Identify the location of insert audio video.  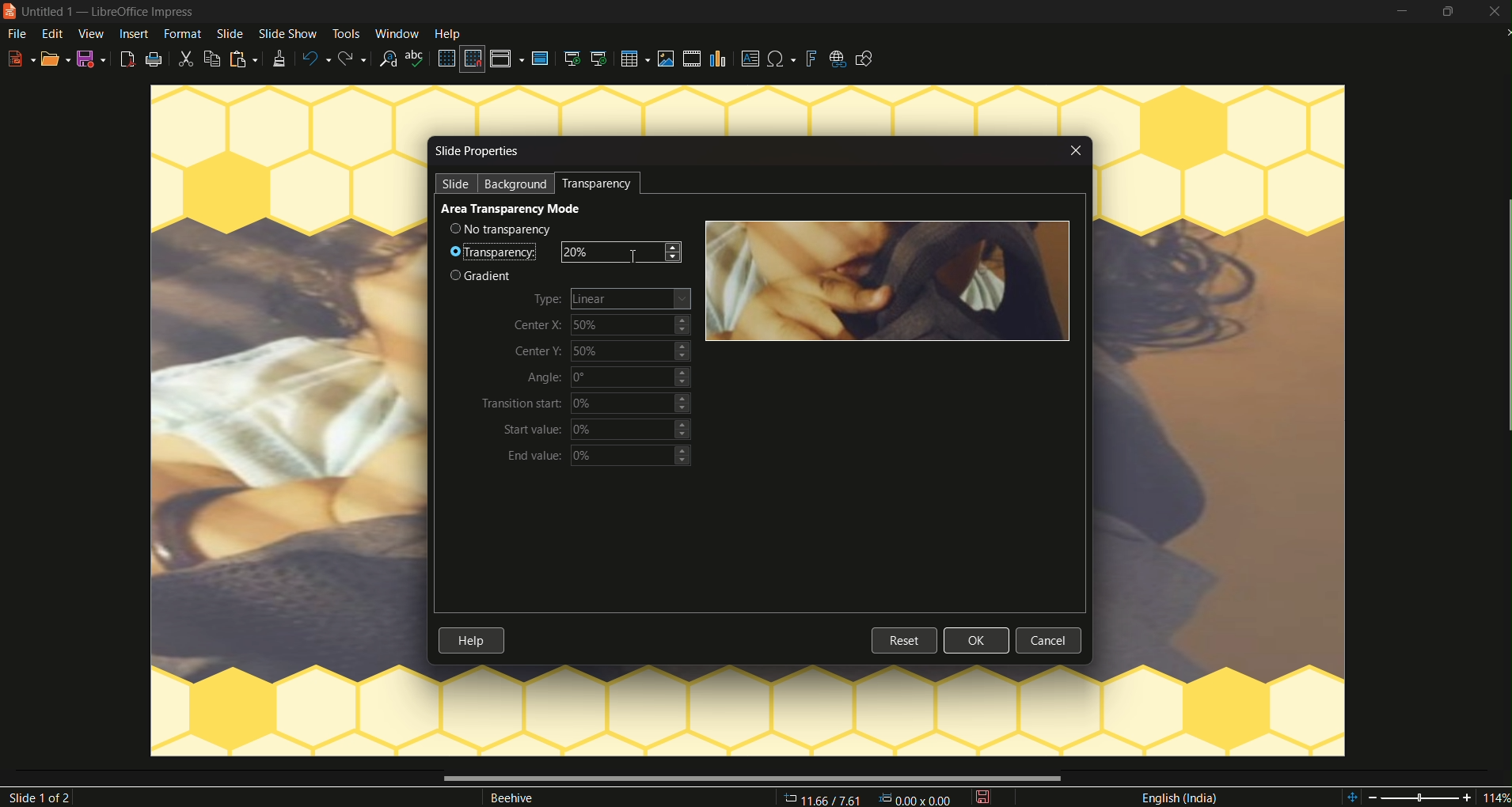
(693, 59).